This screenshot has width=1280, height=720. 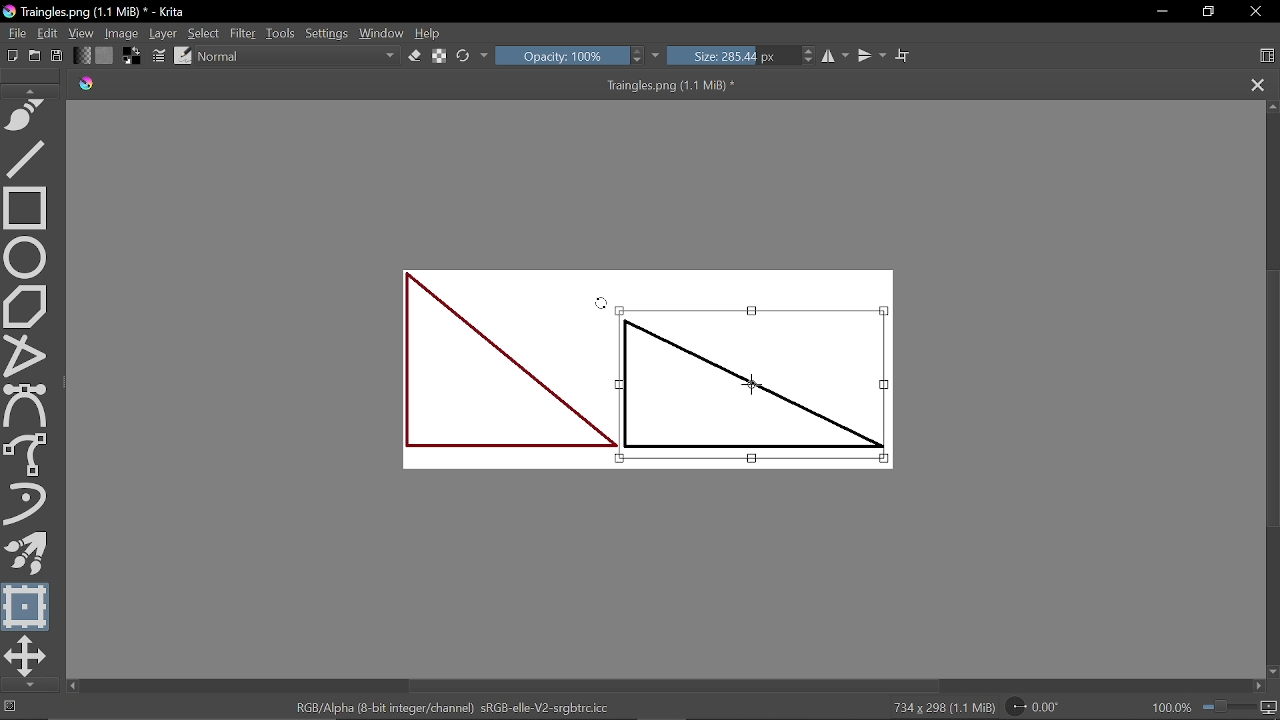 I want to click on Help, so click(x=428, y=34).